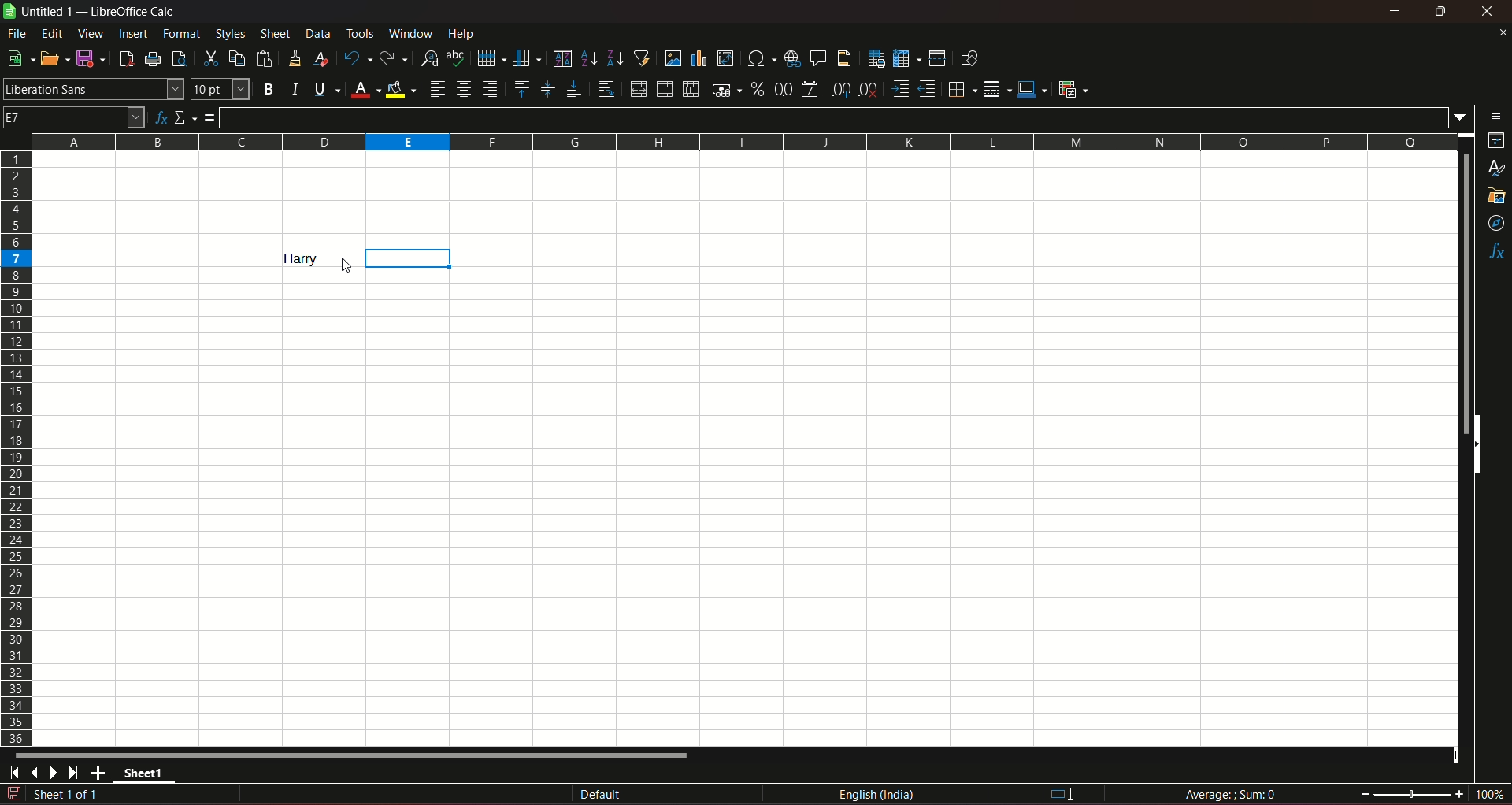 This screenshot has width=1512, height=805. I want to click on align bottom, so click(573, 89).